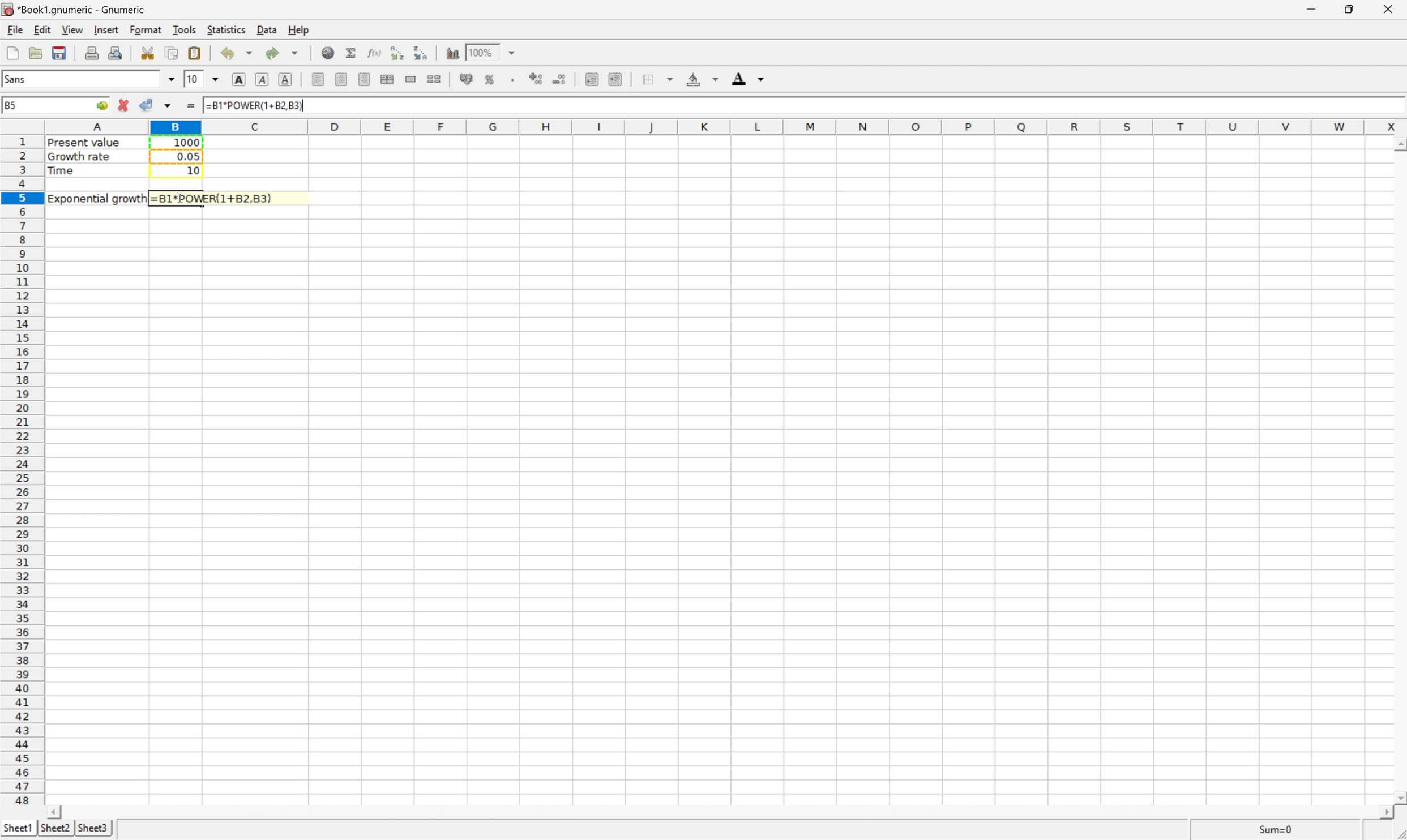 The height and width of the screenshot is (840, 1407). I want to click on Statistics, so click(225, 29).